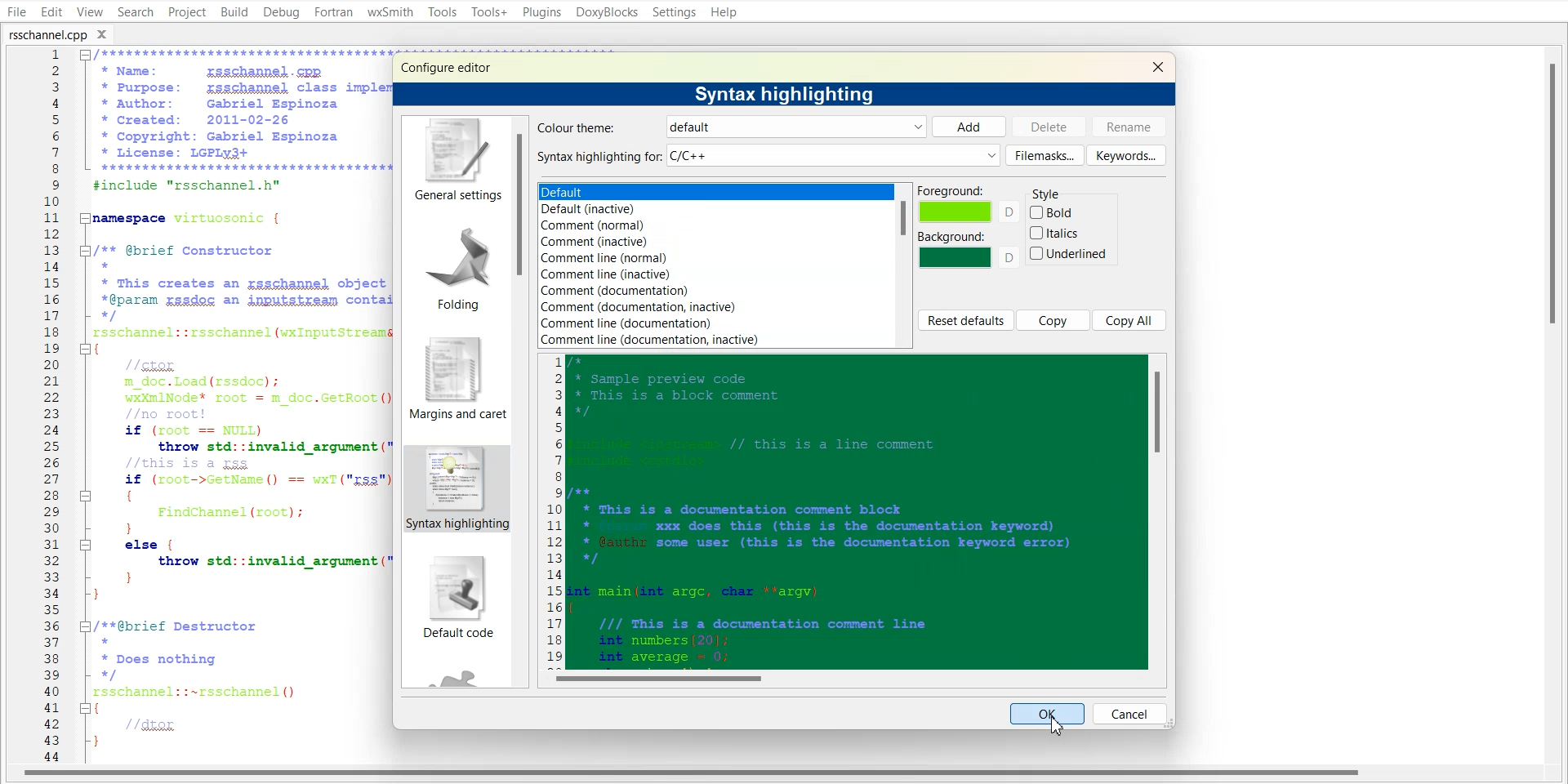  Describe the element at coordinates (1053, 212) in the screenshot. I see `Bold` at that location.